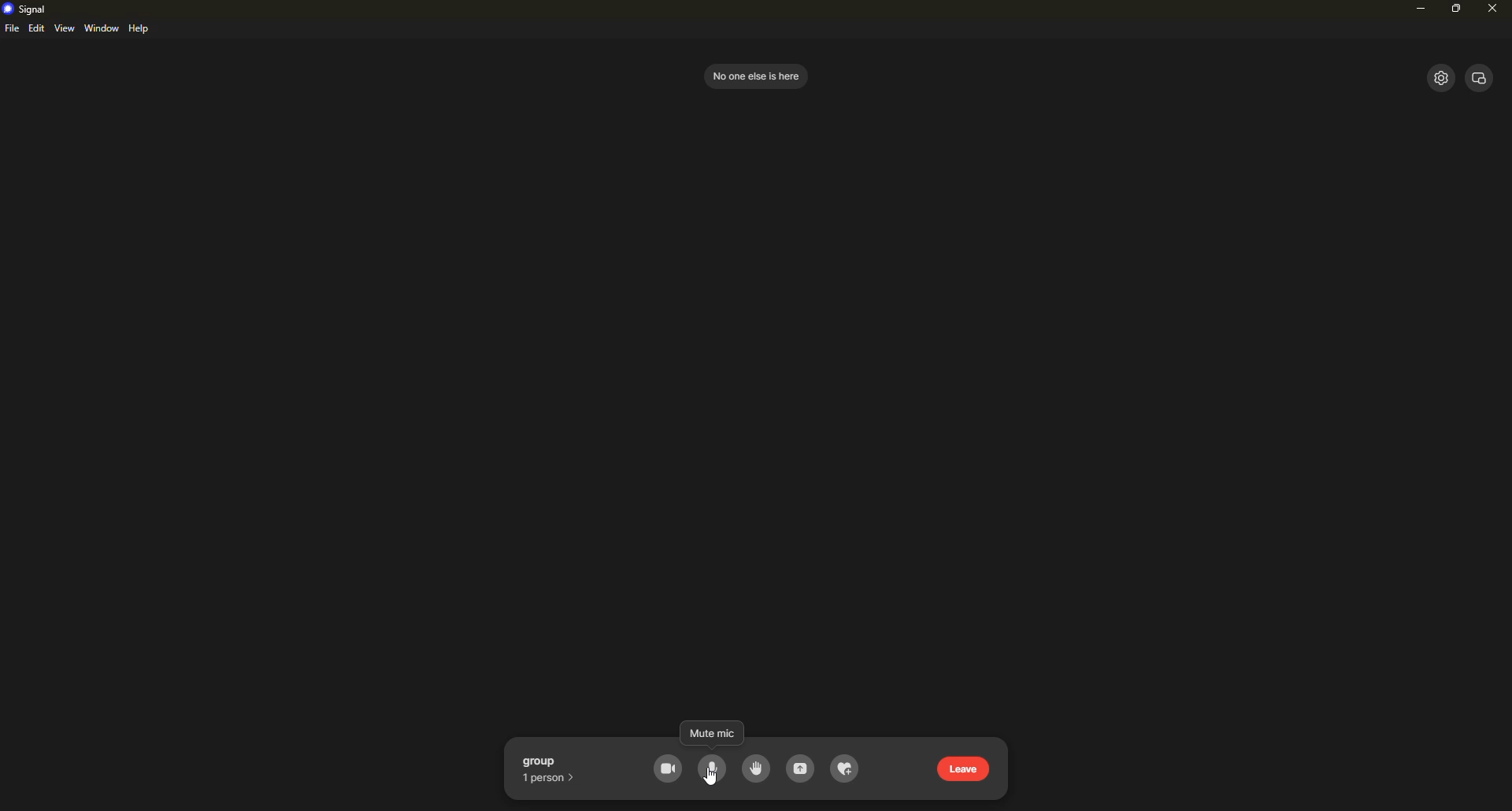  I want to click on help, so click(142, 29).